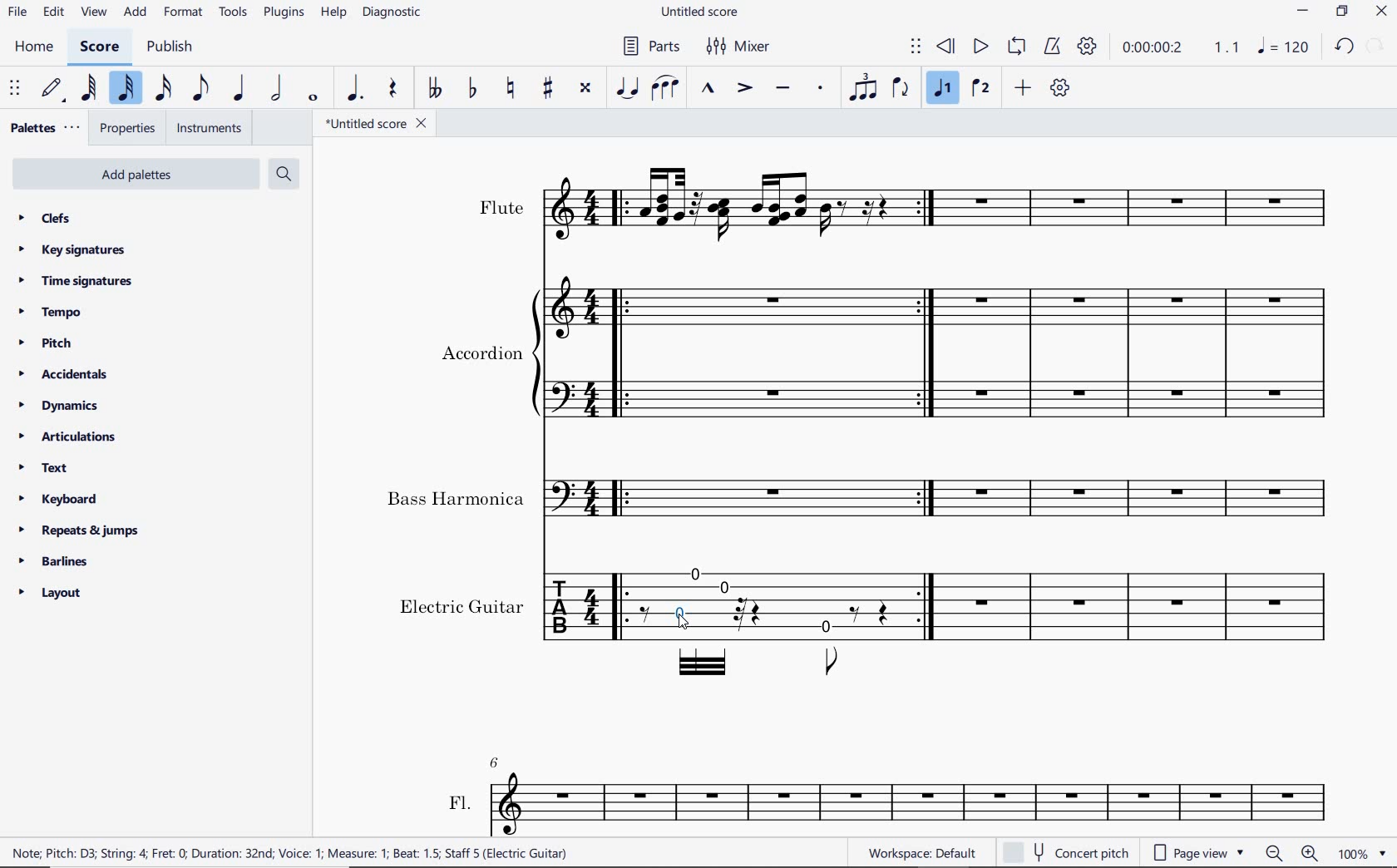 This screenshot has height=868, width=1397. I want to click on zoom factor, so click(1360, 854).